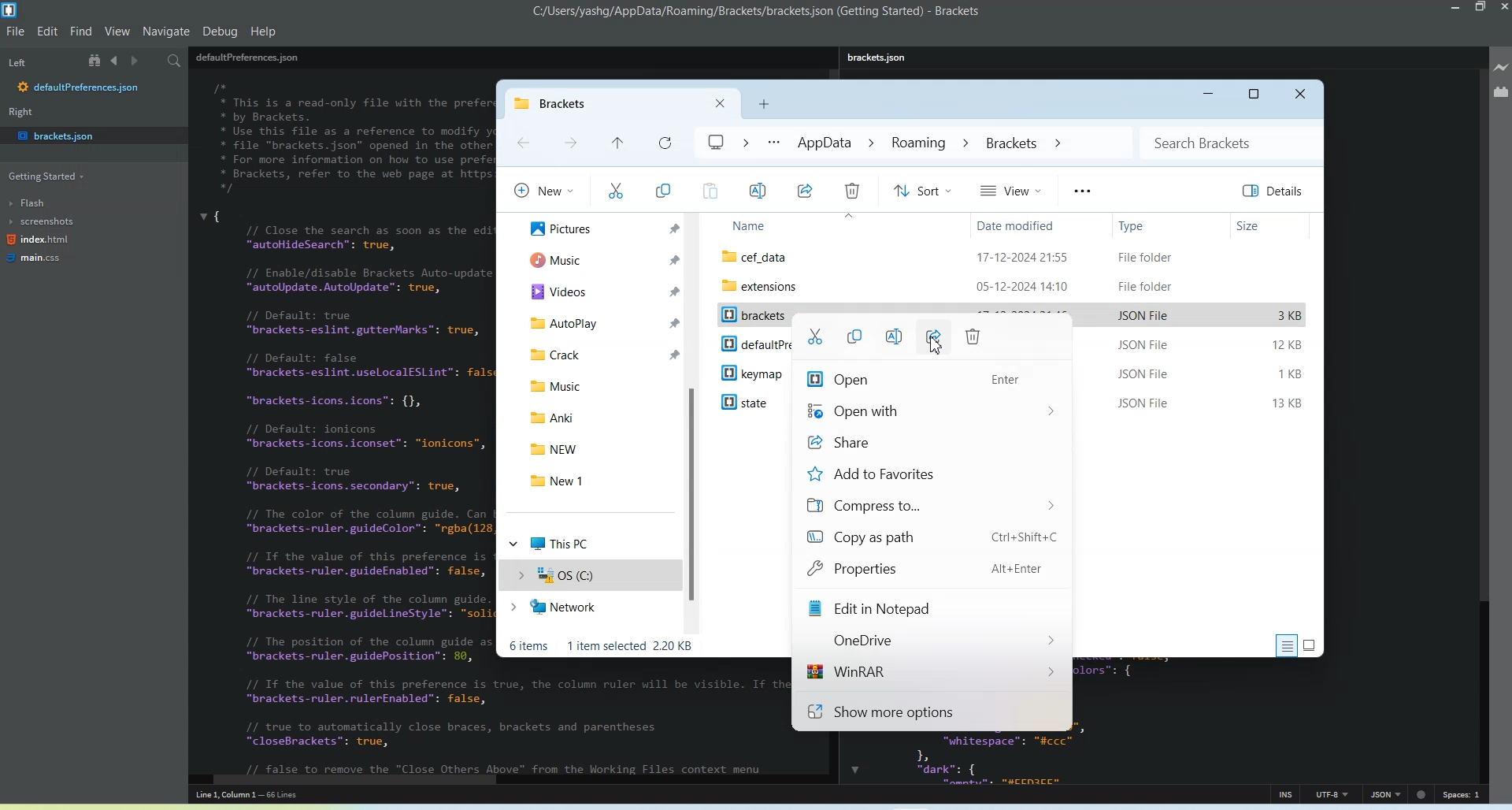  I want to click on Minimize, so click(1458, 8).